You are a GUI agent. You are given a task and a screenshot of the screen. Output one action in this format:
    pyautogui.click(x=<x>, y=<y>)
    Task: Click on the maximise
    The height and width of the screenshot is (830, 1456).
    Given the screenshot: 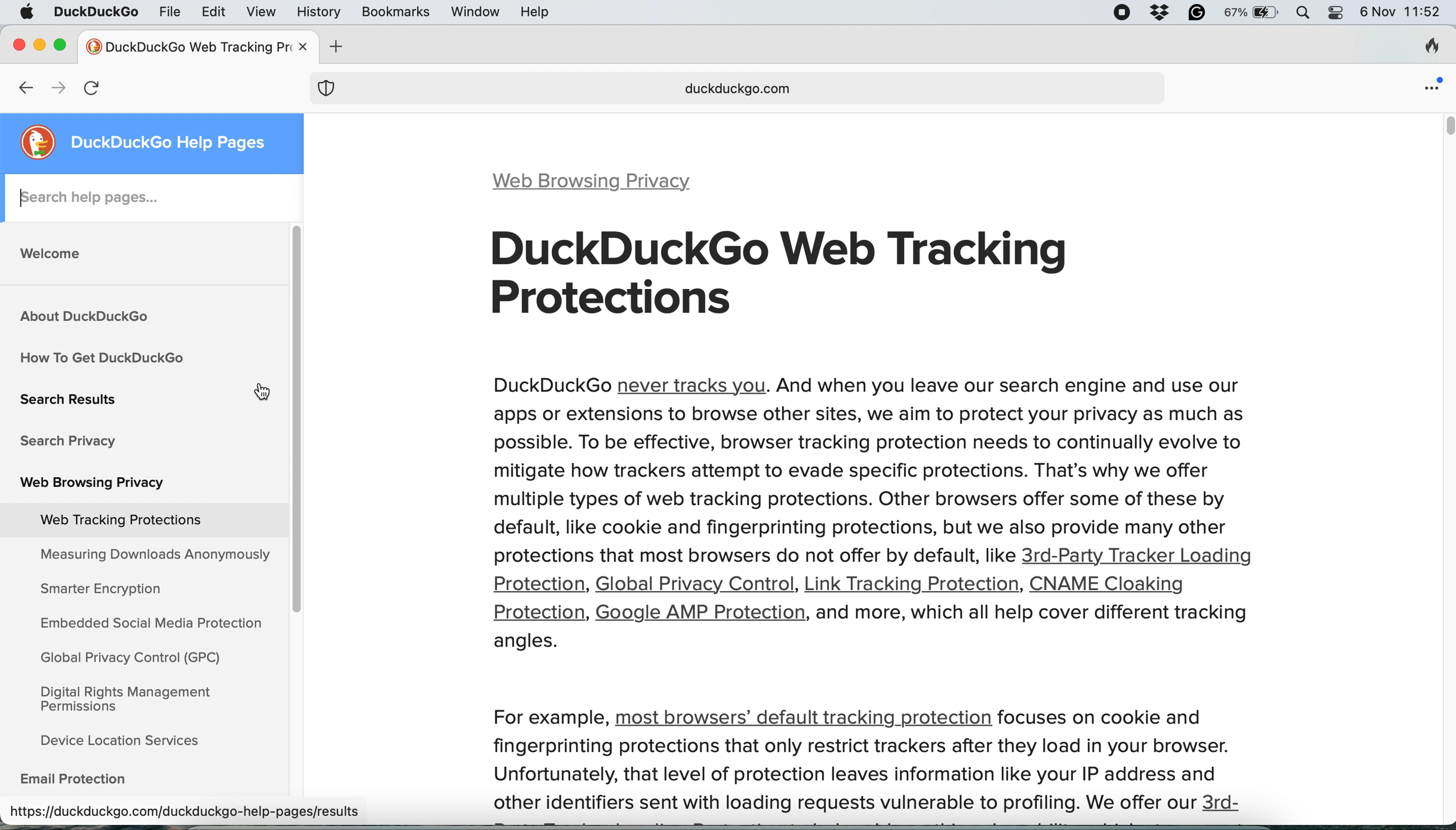 What is the action you would take?
    pyautogui.click(x=64, y=46)
    